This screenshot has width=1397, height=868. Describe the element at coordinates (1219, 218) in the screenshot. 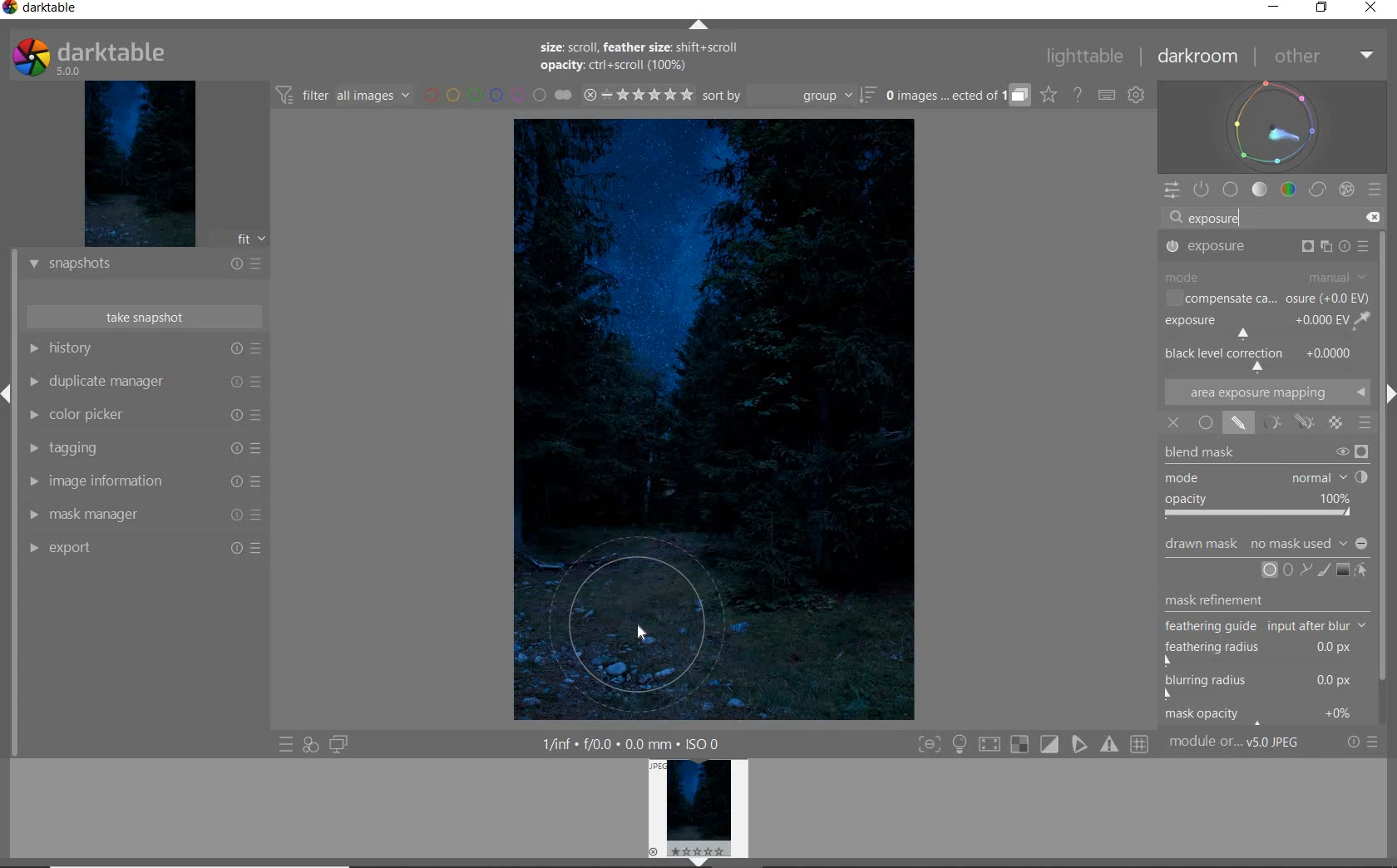

I see `exposure` at that location.